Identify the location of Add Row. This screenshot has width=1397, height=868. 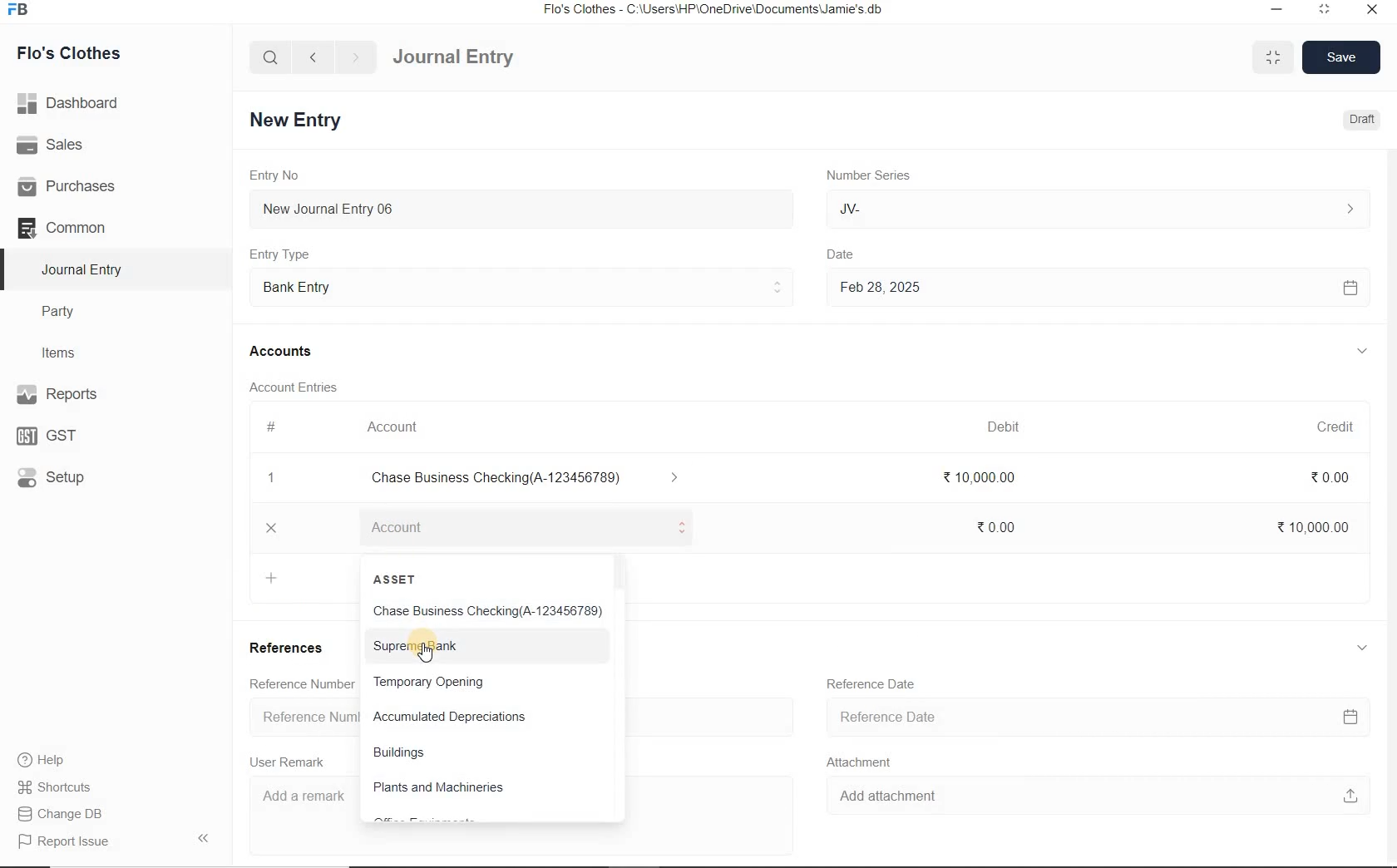
(361, 526).